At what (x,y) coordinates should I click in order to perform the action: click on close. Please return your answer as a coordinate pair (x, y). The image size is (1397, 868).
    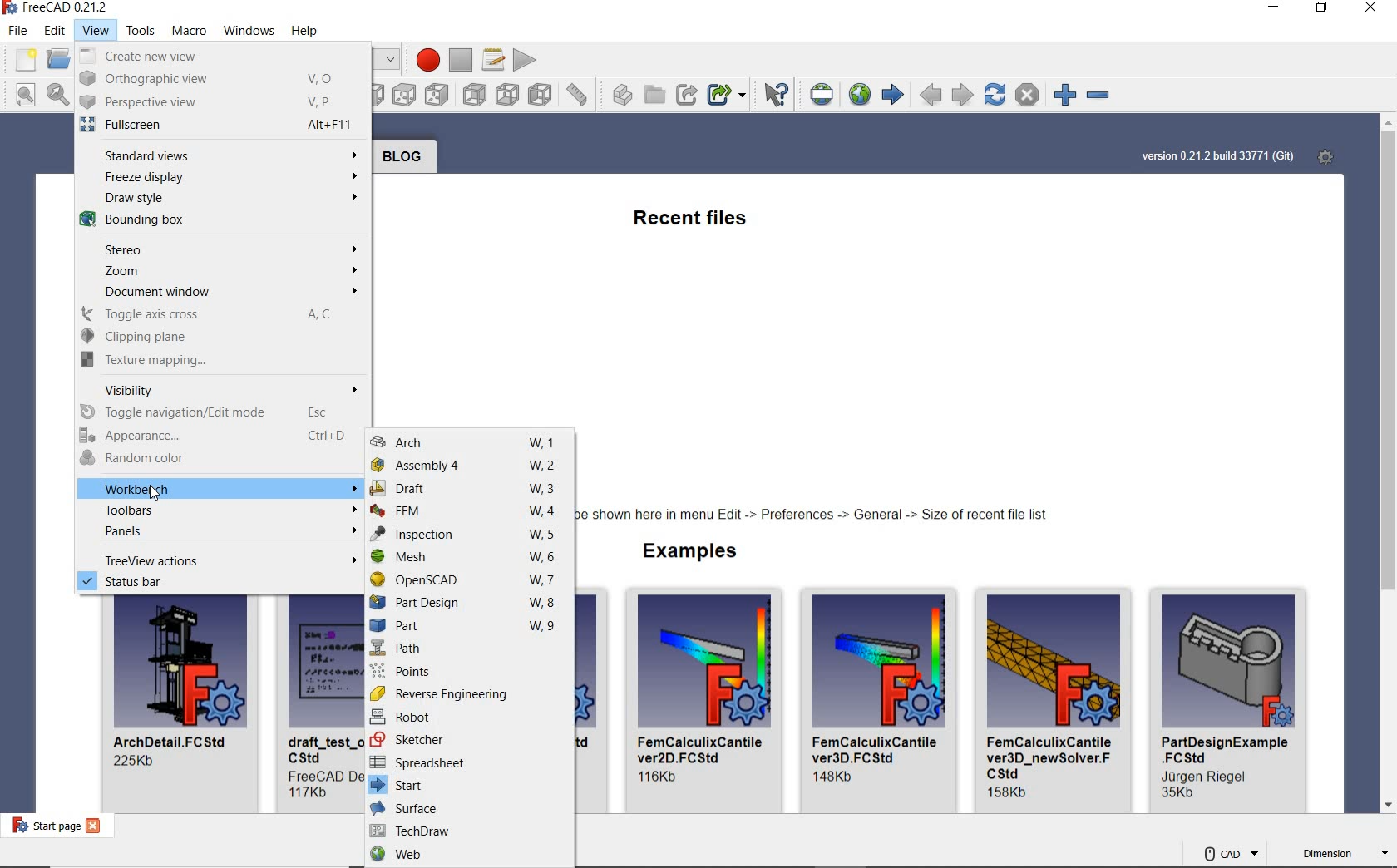
    Looking at the image, I should click on (96, 827).